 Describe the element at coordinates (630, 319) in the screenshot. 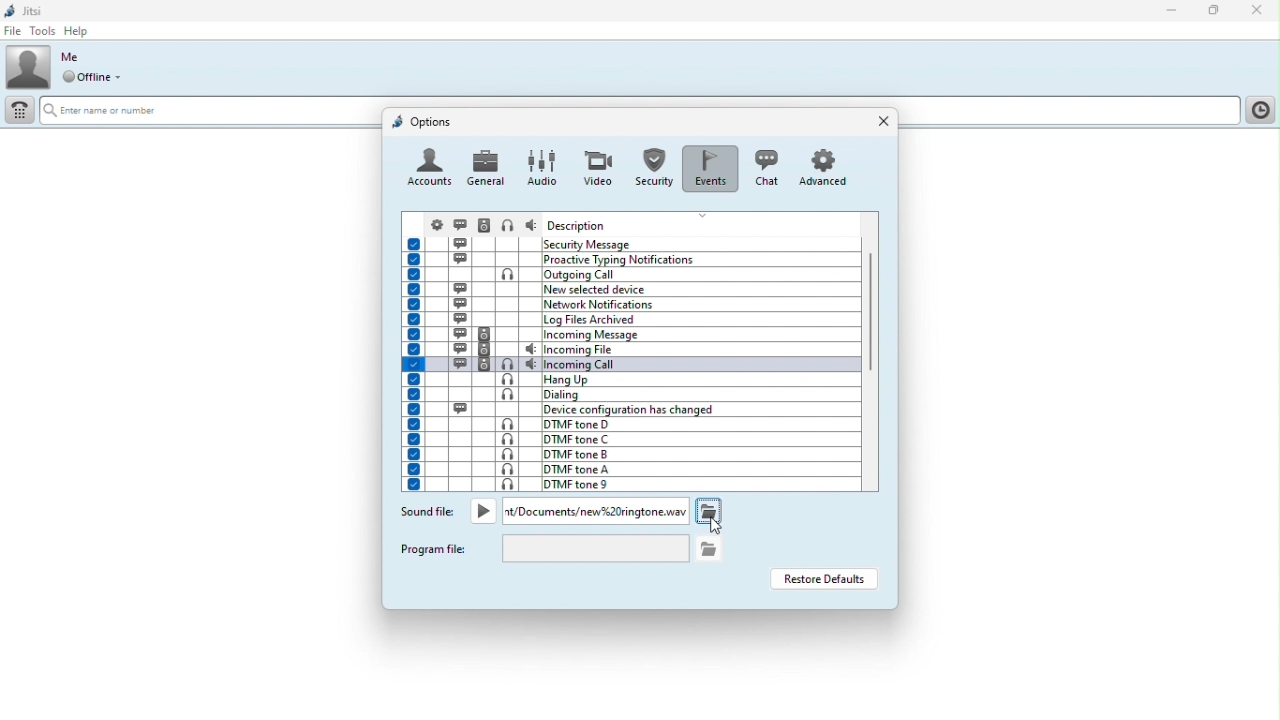

I see `log files archived ` at that location.